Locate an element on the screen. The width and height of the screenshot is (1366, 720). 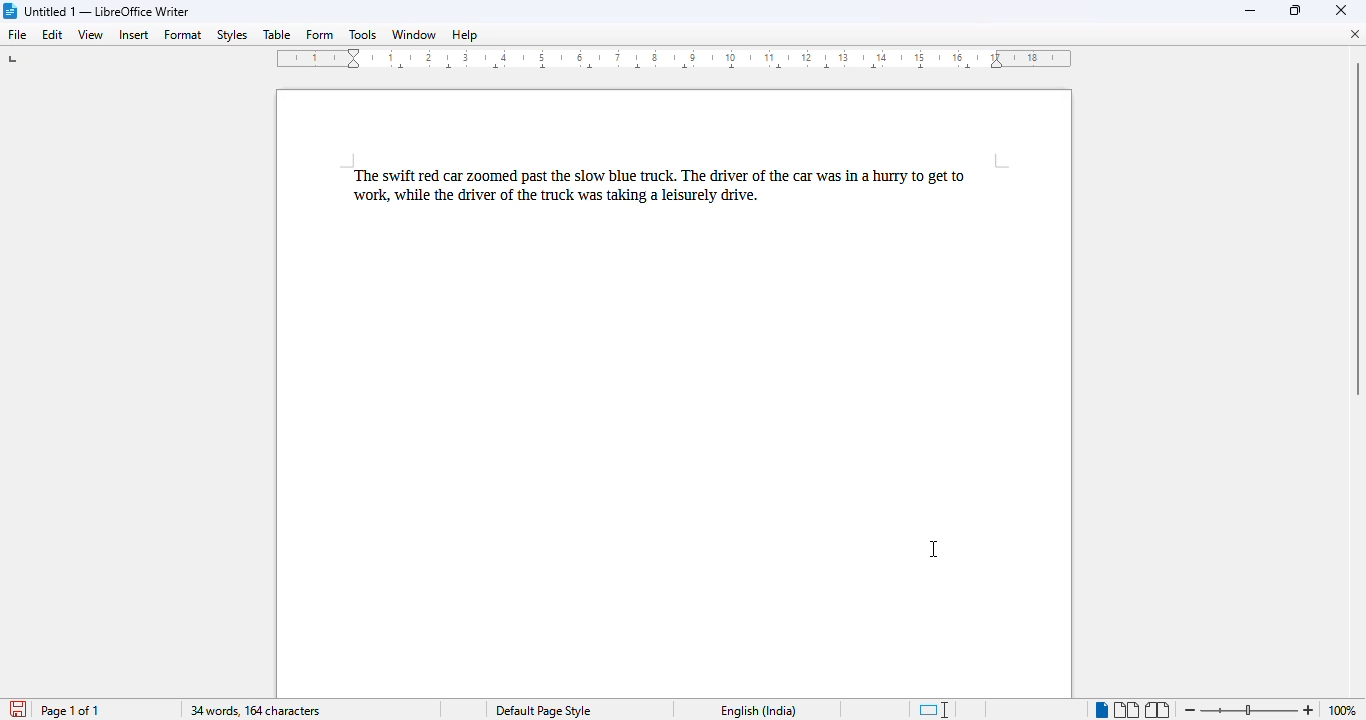
Default page style is located at coordinates (542, 711).